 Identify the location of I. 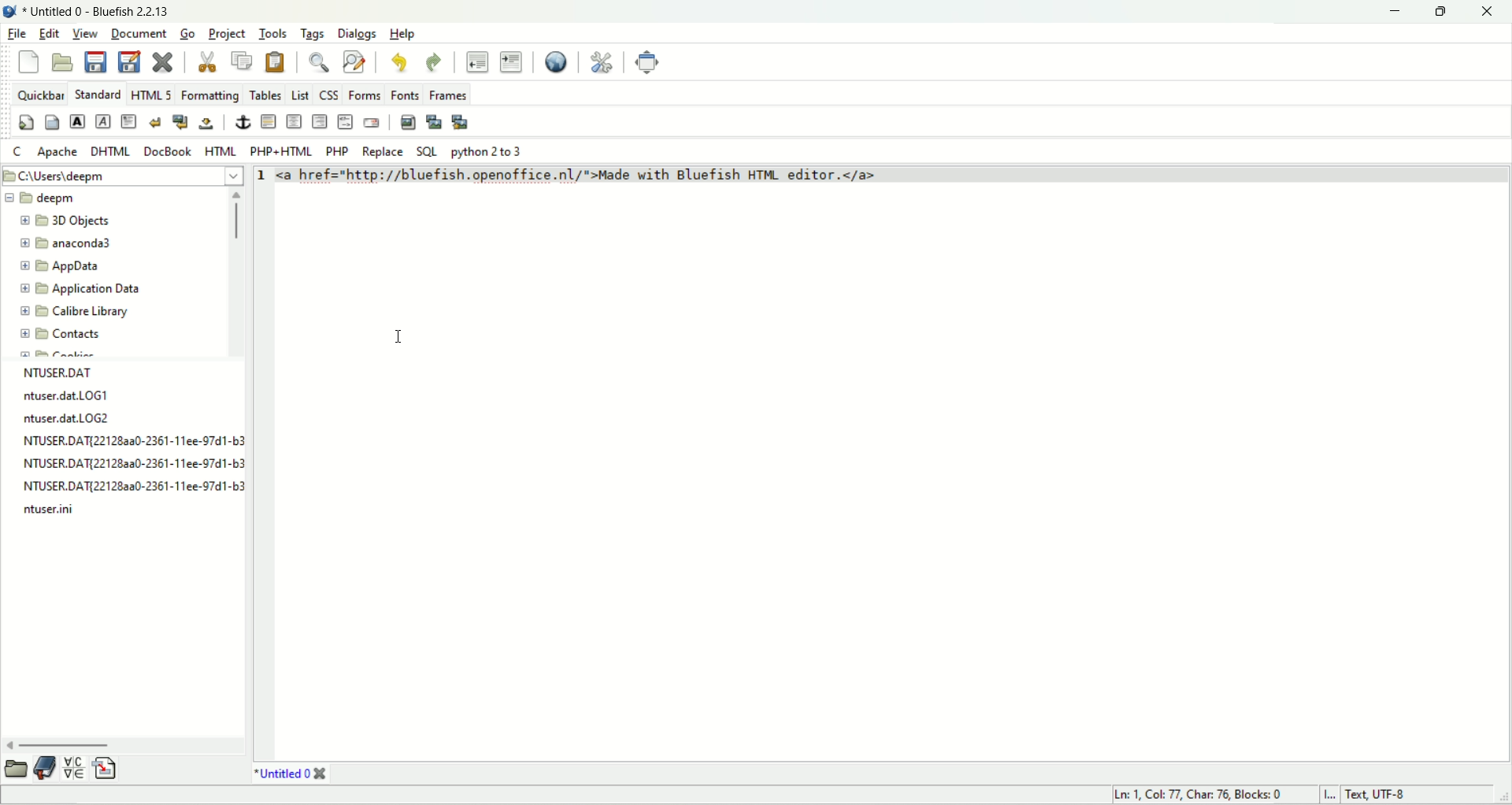
(1331, 796).